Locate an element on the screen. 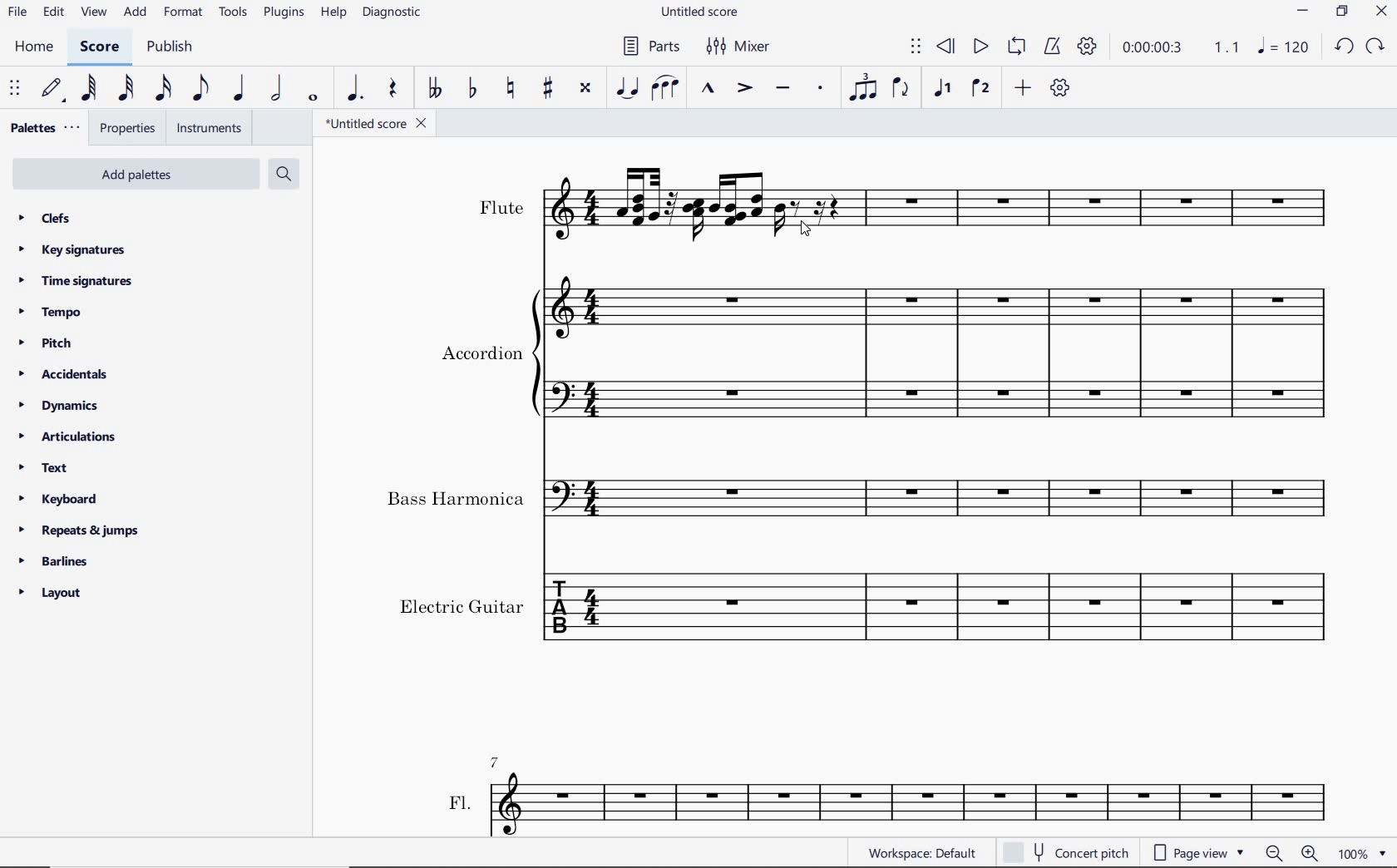 The image size is (1397, 868). tenuto is located at coordinates (782, 88).